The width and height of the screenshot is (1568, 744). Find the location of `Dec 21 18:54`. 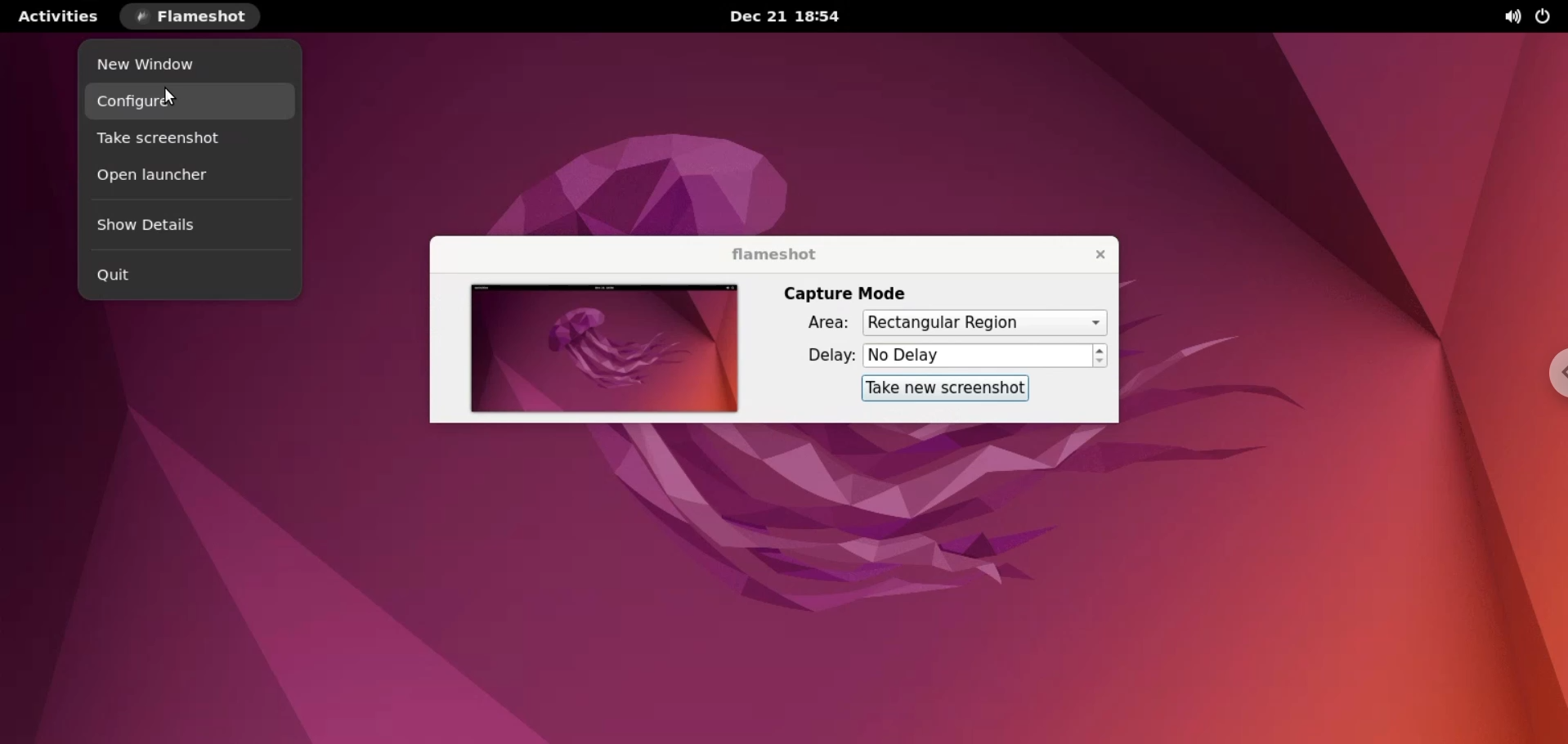

Dec 21 18:54 is located at coordinates (792, 16).